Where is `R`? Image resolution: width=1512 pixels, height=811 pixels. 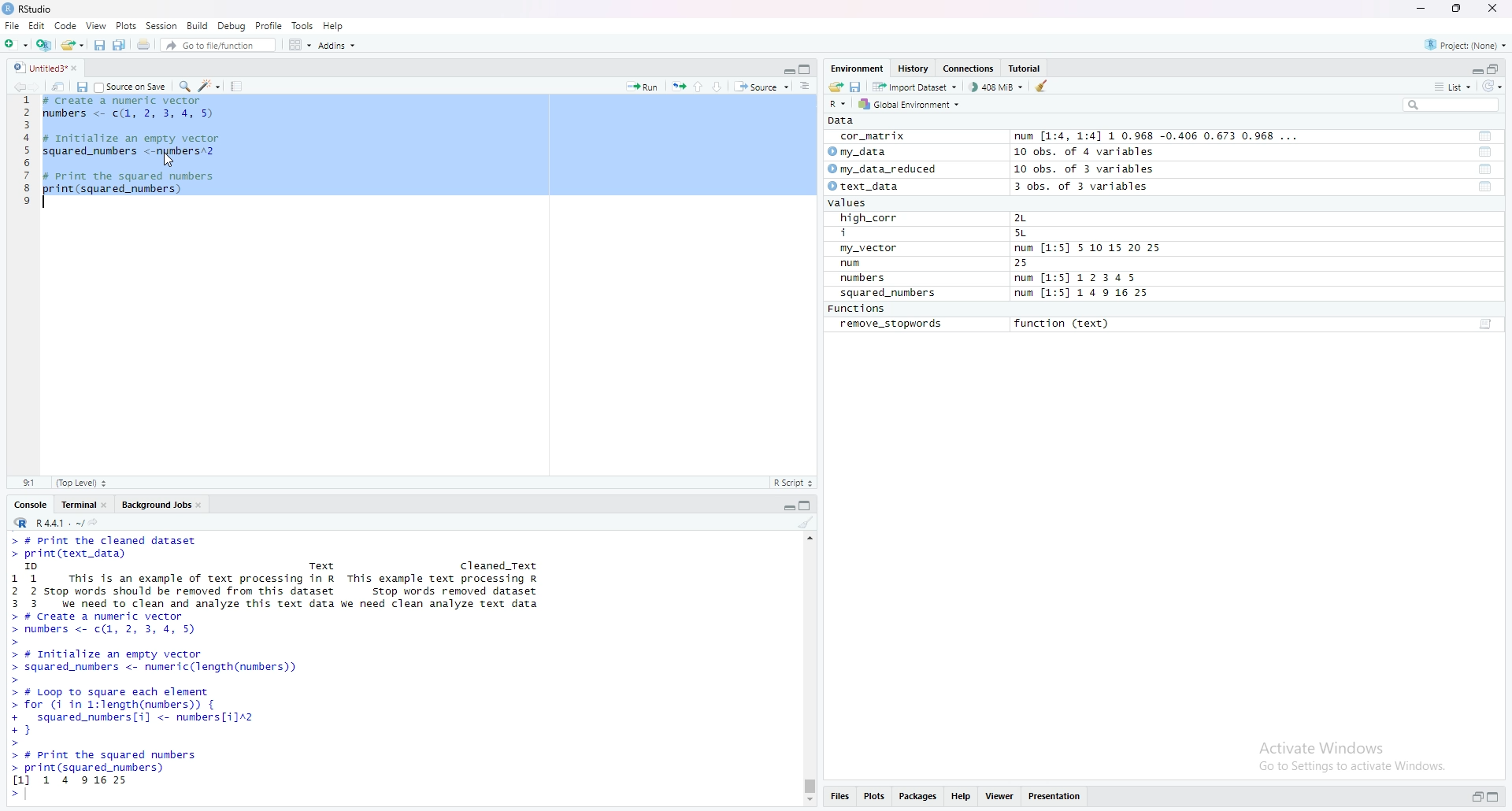
R is located at coordinates (839, 103).